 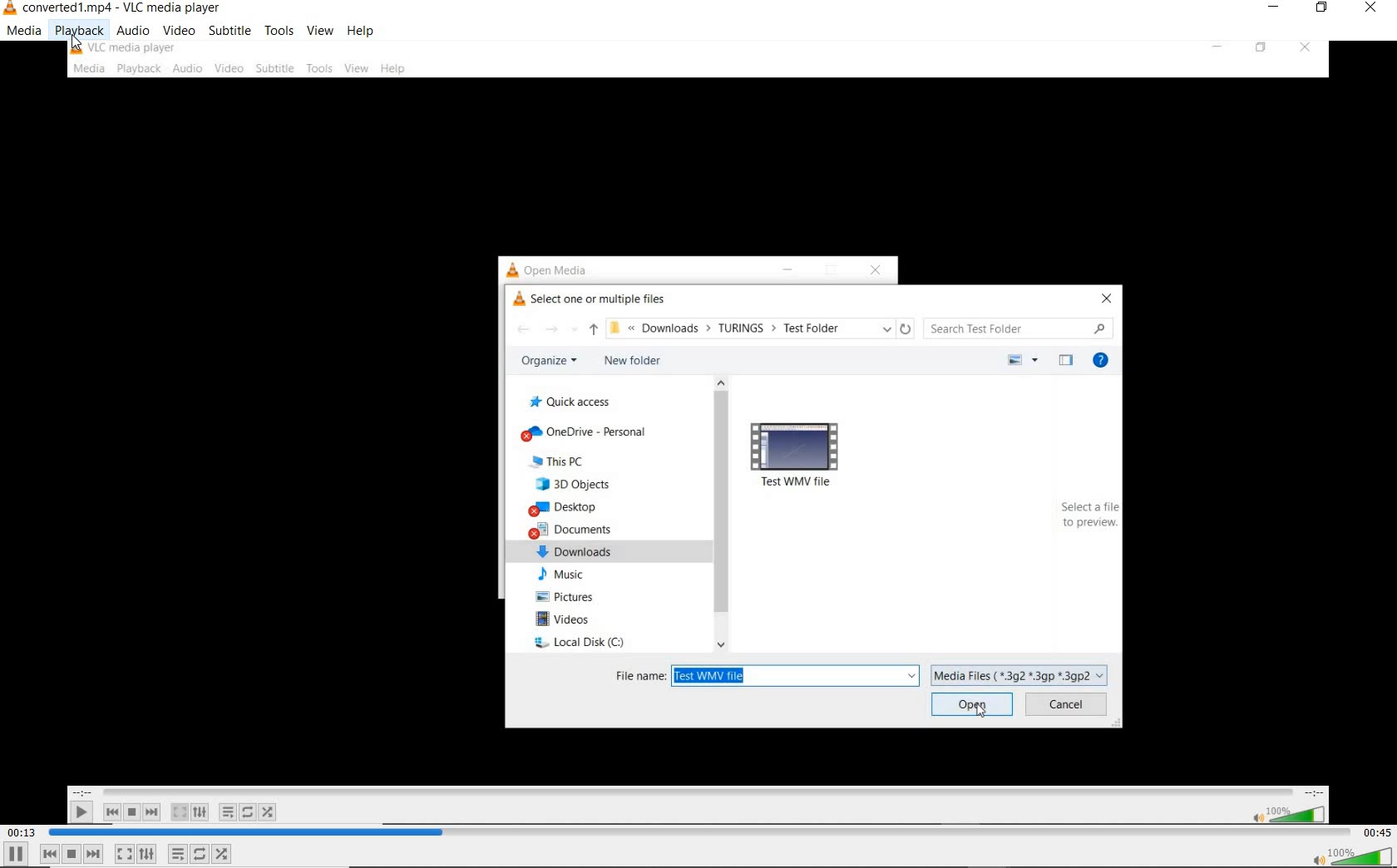 I want to click on close, so click(x=1370, y=9).